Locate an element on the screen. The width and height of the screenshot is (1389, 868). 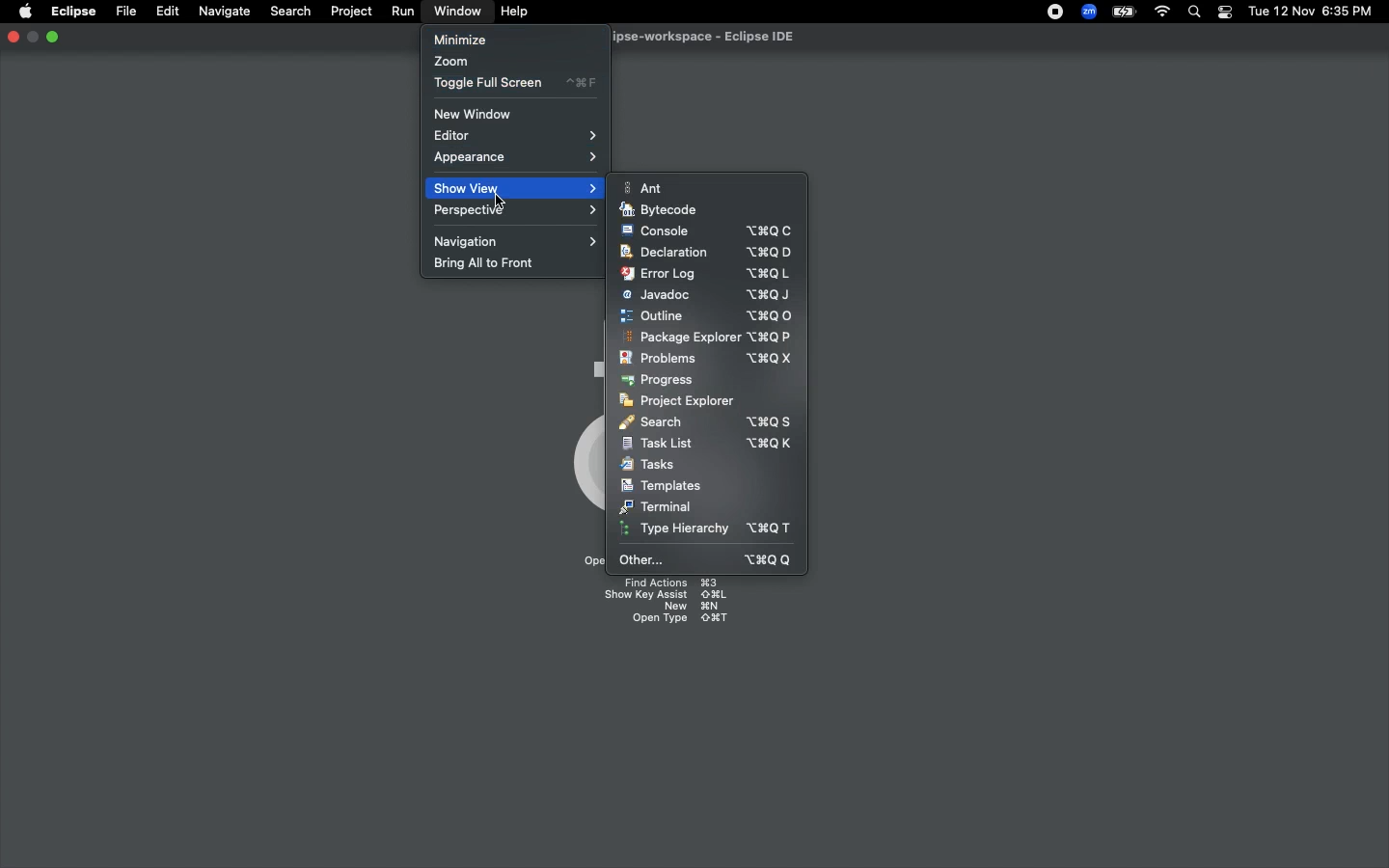
Problems is located at coordinates (705, 359).